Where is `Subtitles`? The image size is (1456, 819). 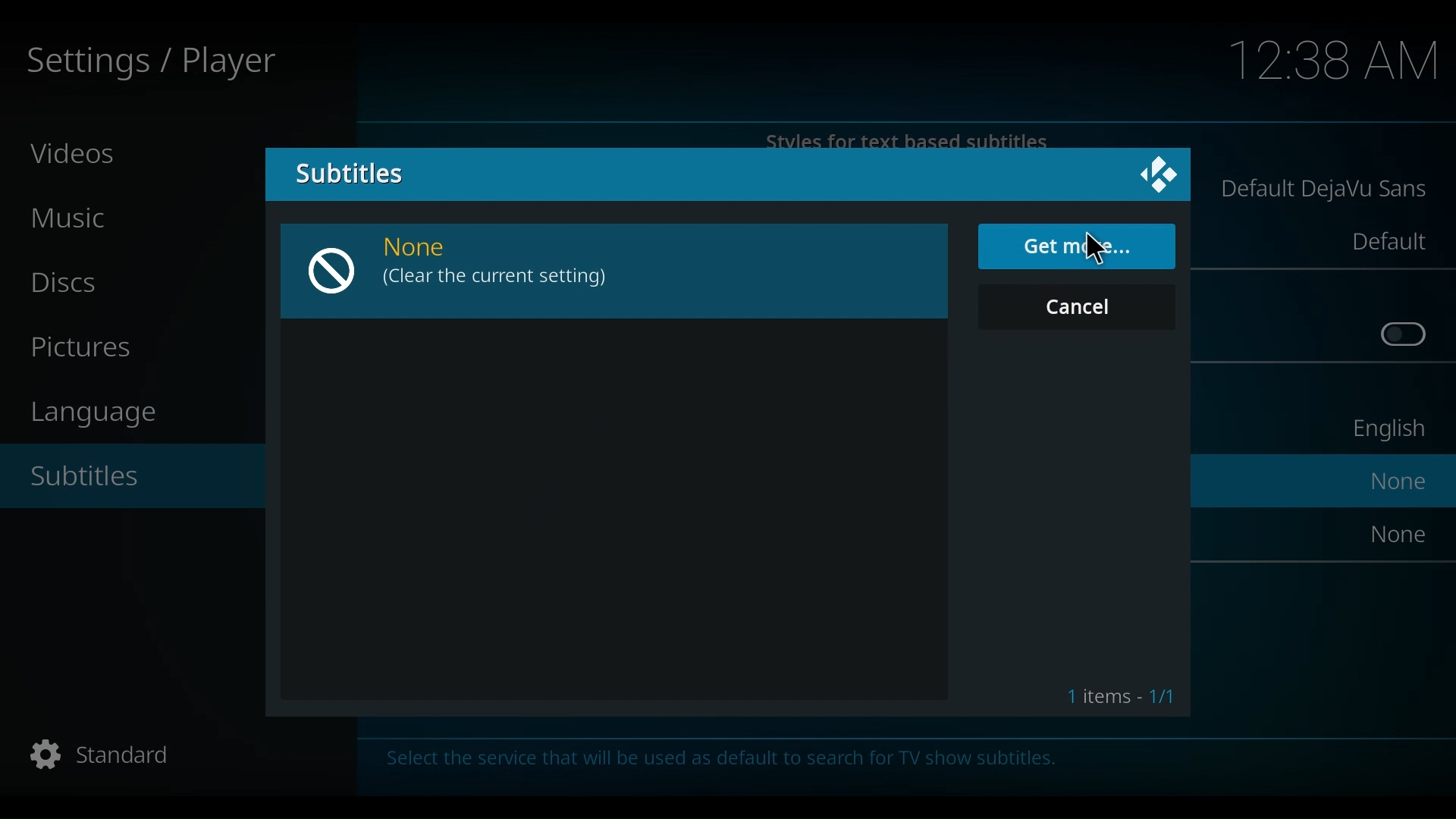 Subtitles is located at coordinates (347, 172).